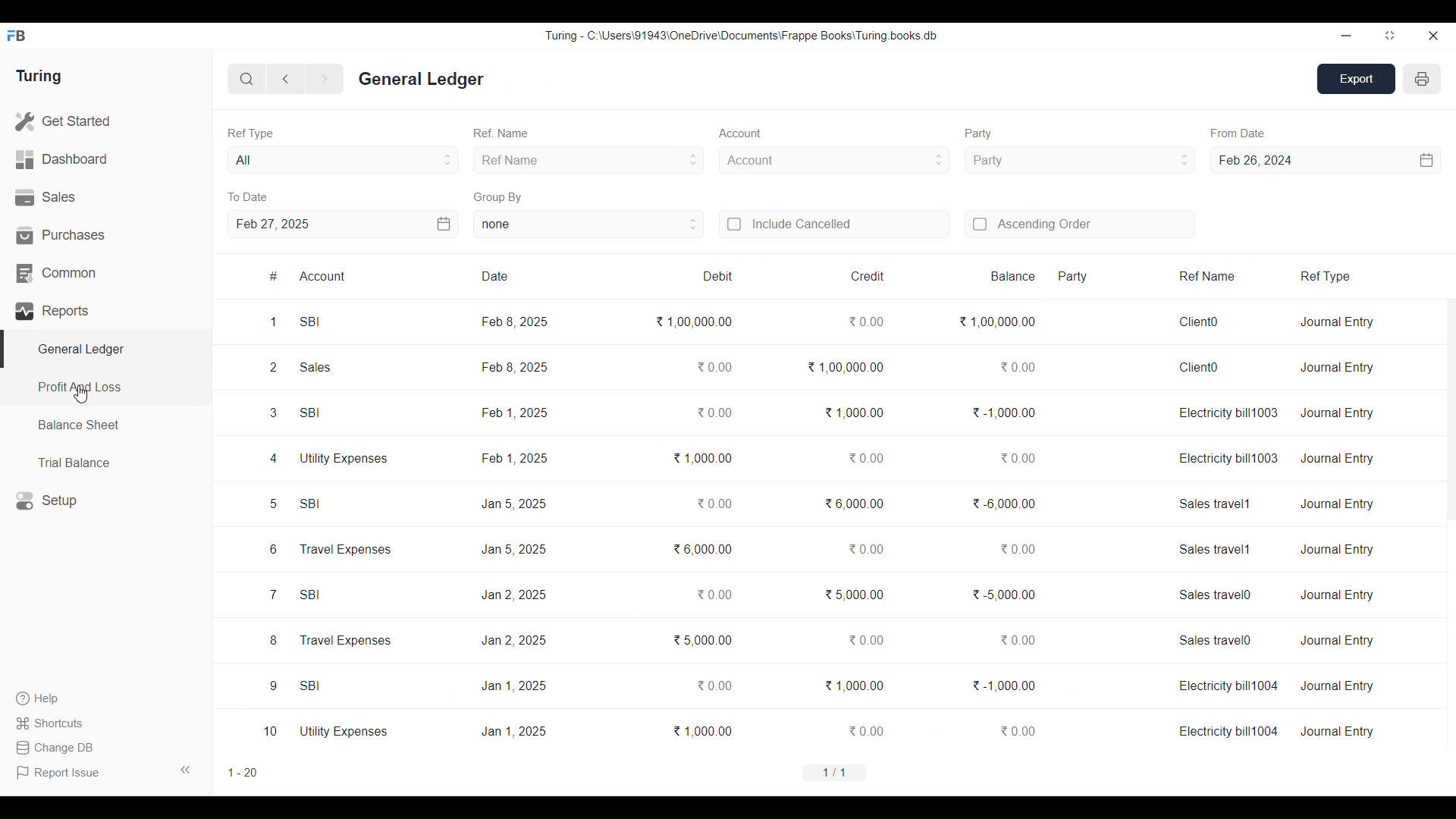 The height and width of the screenshot is (819, 1456). I want to click on Ref Name, so click(501, 133).